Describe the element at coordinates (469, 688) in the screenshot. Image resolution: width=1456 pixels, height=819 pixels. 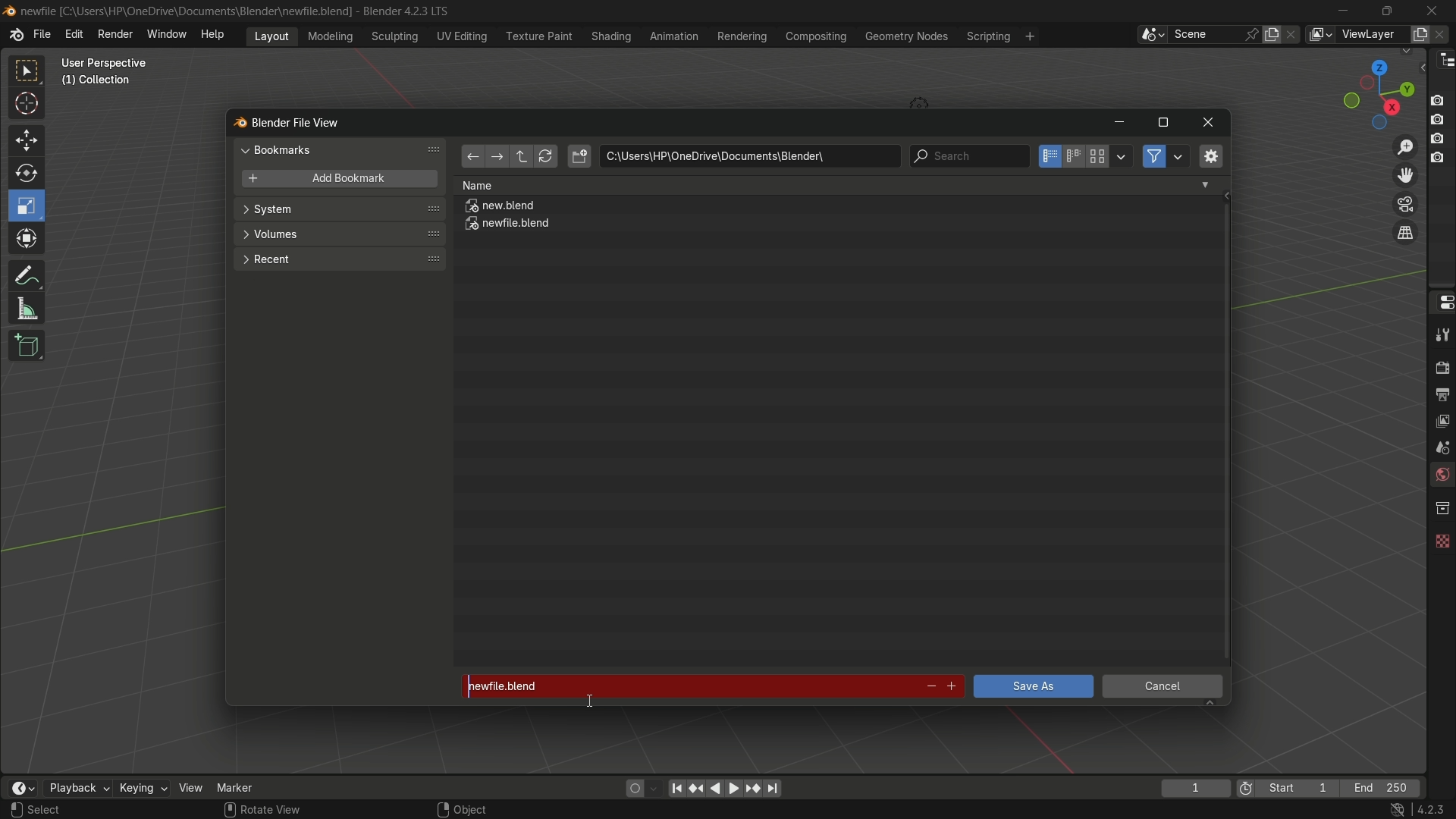
I see `cursor` at that location.